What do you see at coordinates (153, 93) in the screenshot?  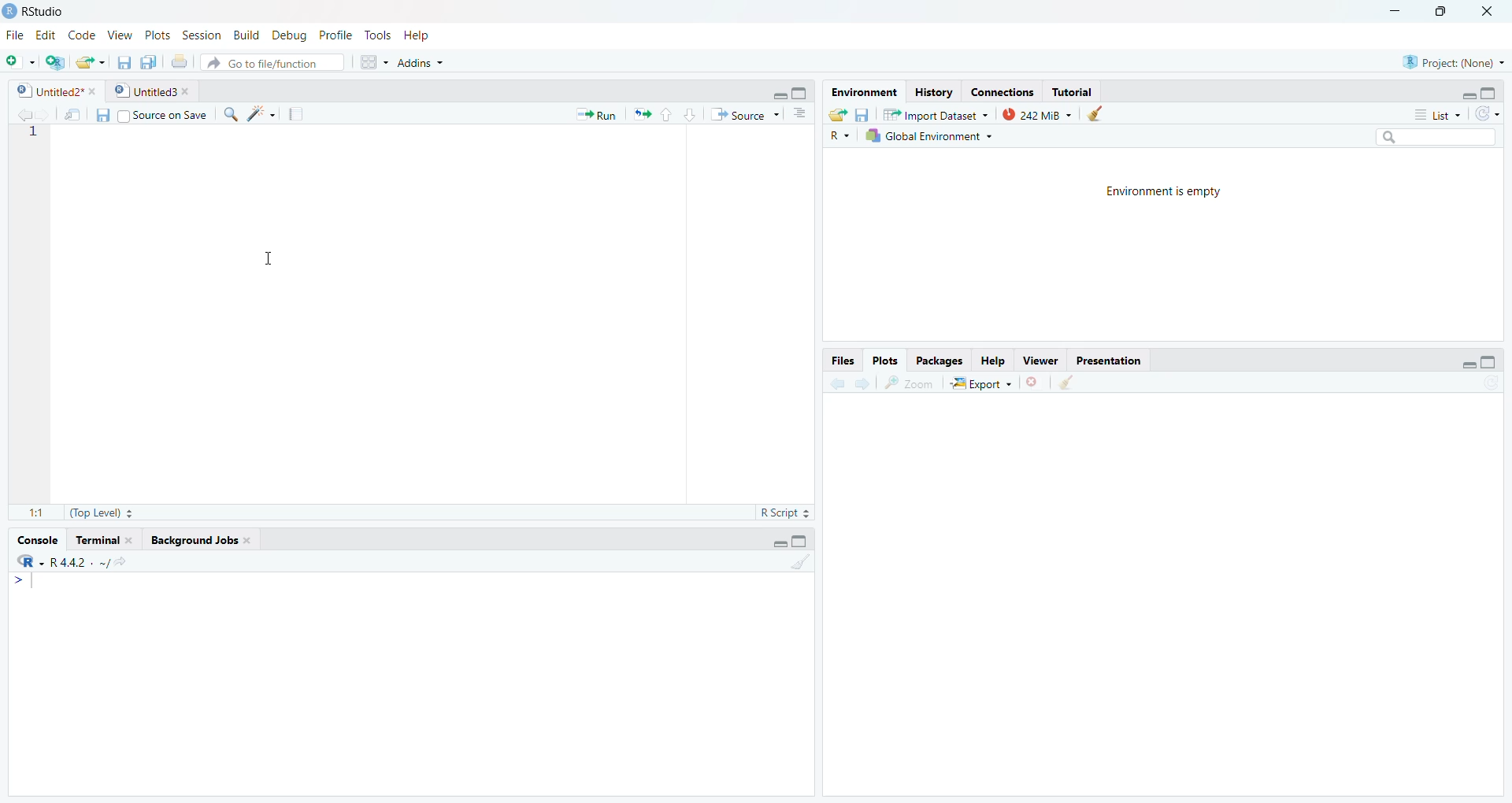 I see `Untitled3` at bounding box center [153, 93].